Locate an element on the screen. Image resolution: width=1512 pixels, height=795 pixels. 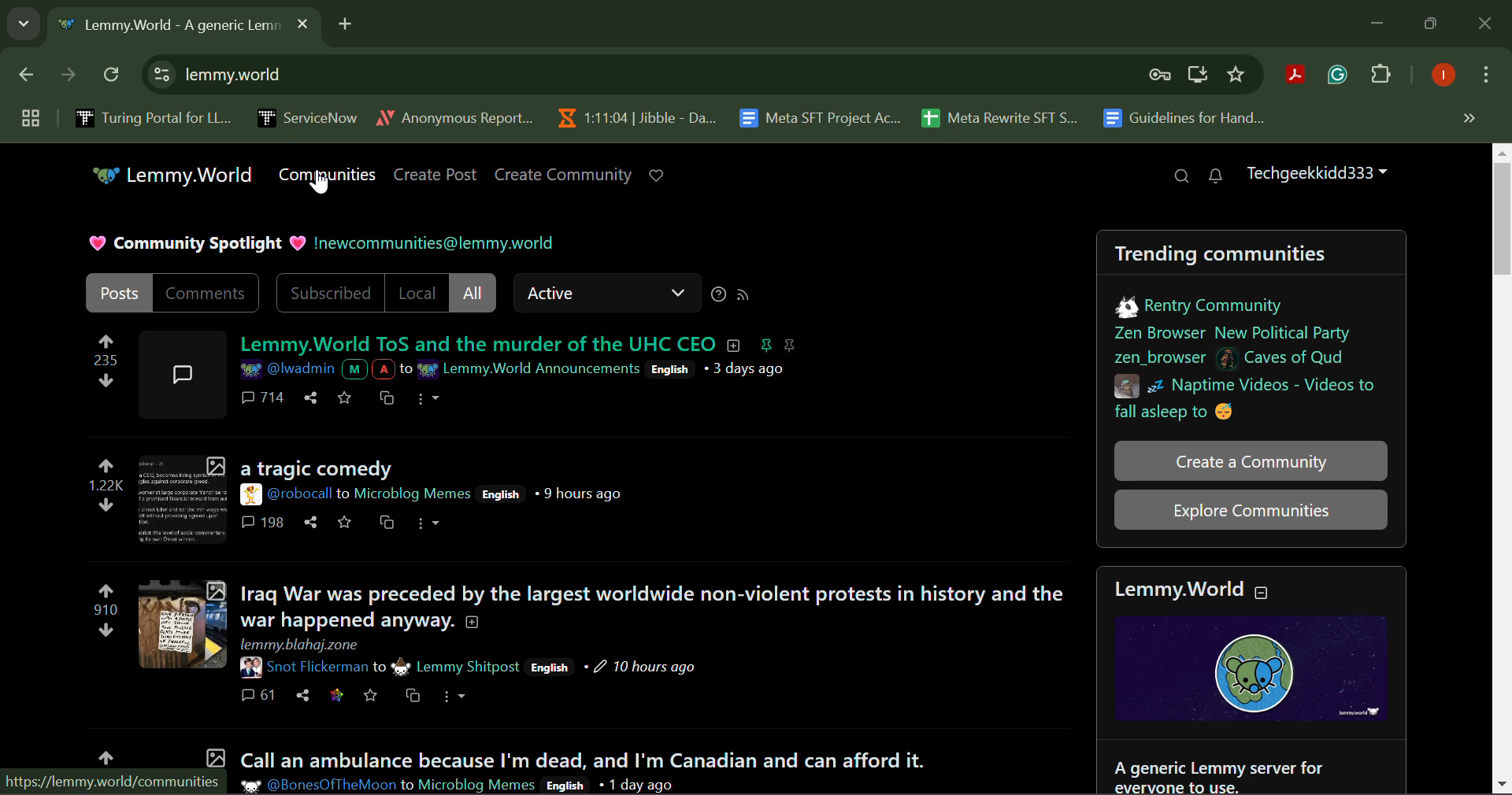
Anonymous Report is located at coordinates (454, 115).